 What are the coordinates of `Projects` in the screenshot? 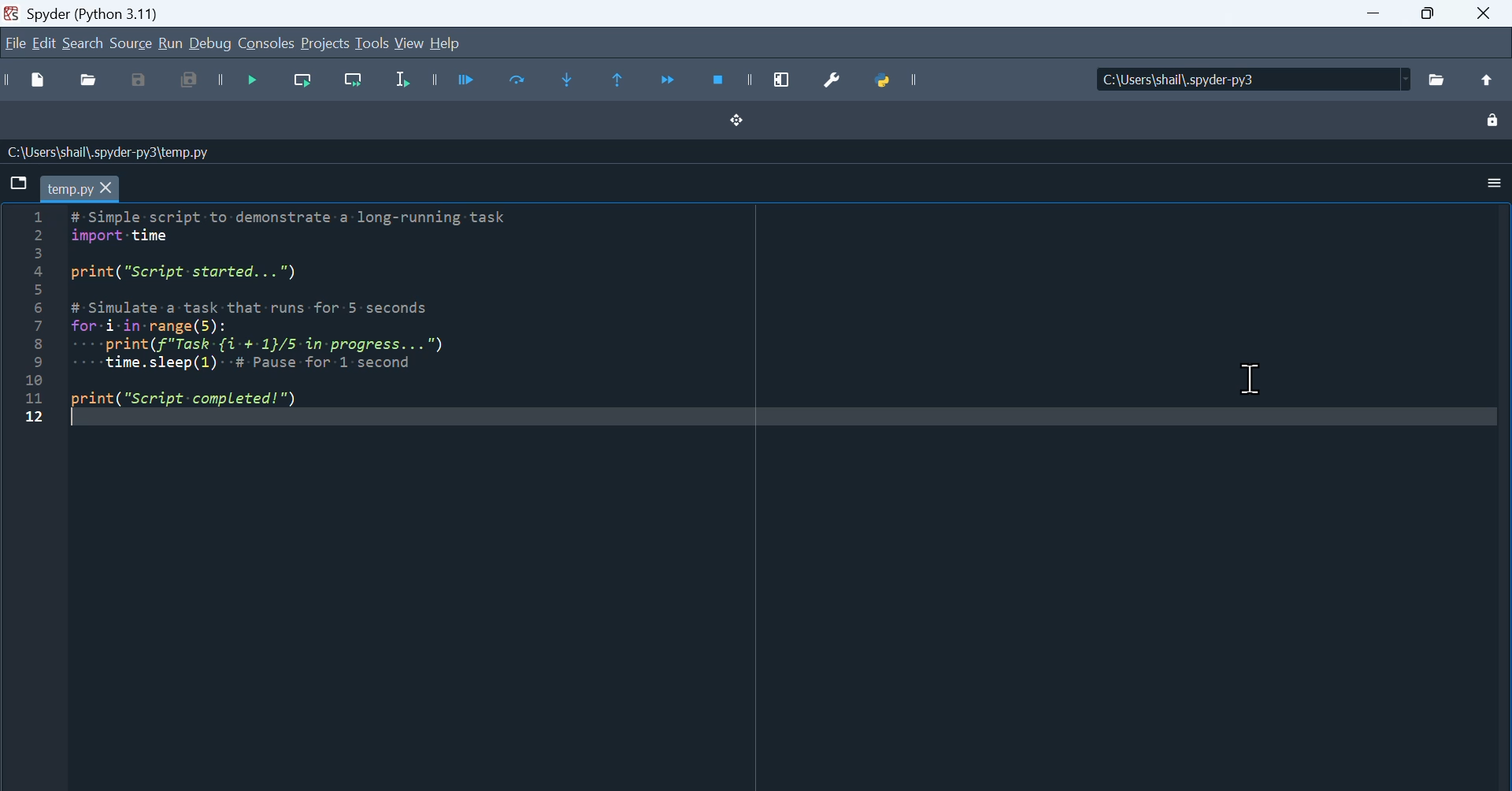 It's located at (326, 42).